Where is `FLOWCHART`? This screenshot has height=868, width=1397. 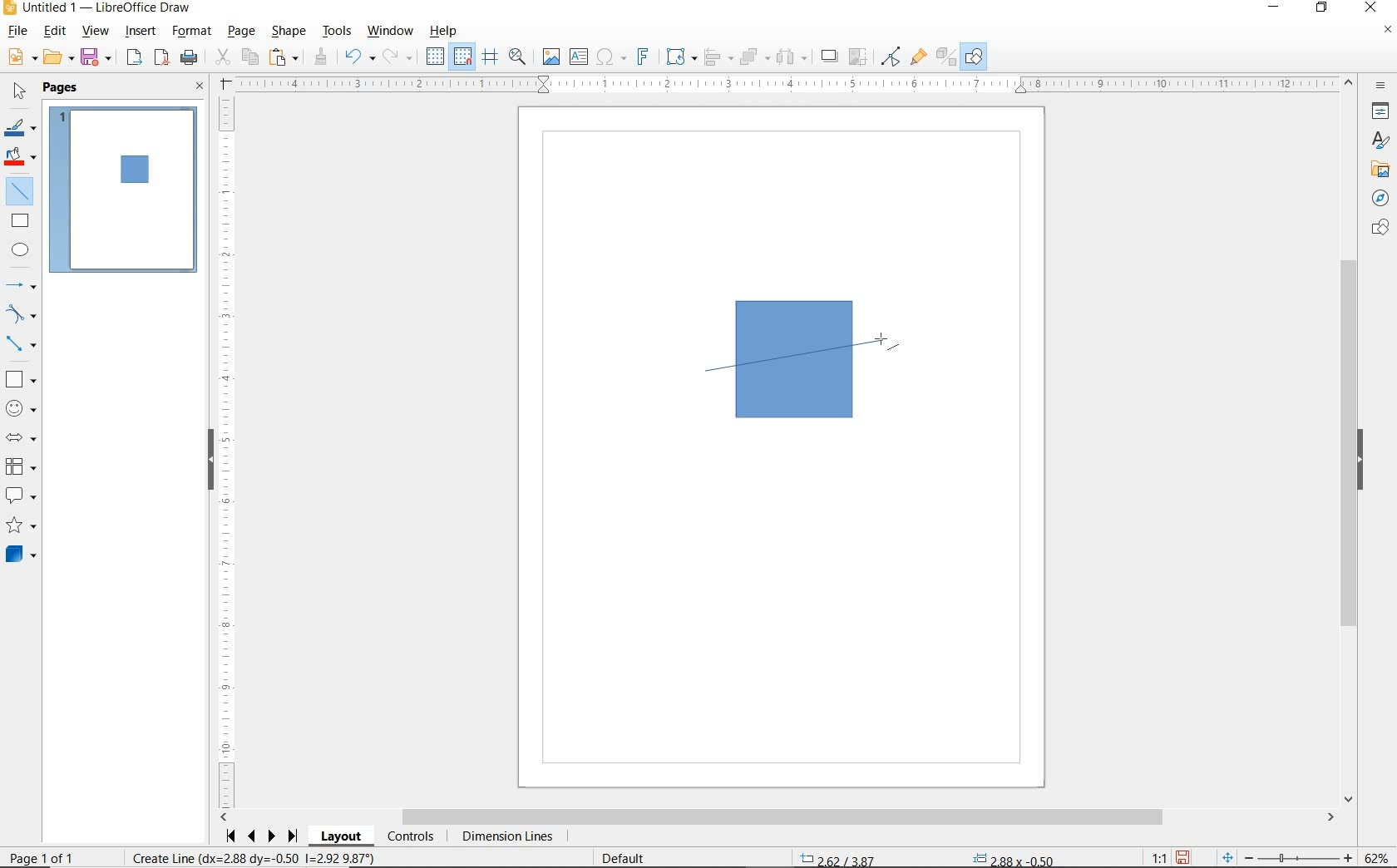
FLOWCHART is located at coordinates (24, 466).